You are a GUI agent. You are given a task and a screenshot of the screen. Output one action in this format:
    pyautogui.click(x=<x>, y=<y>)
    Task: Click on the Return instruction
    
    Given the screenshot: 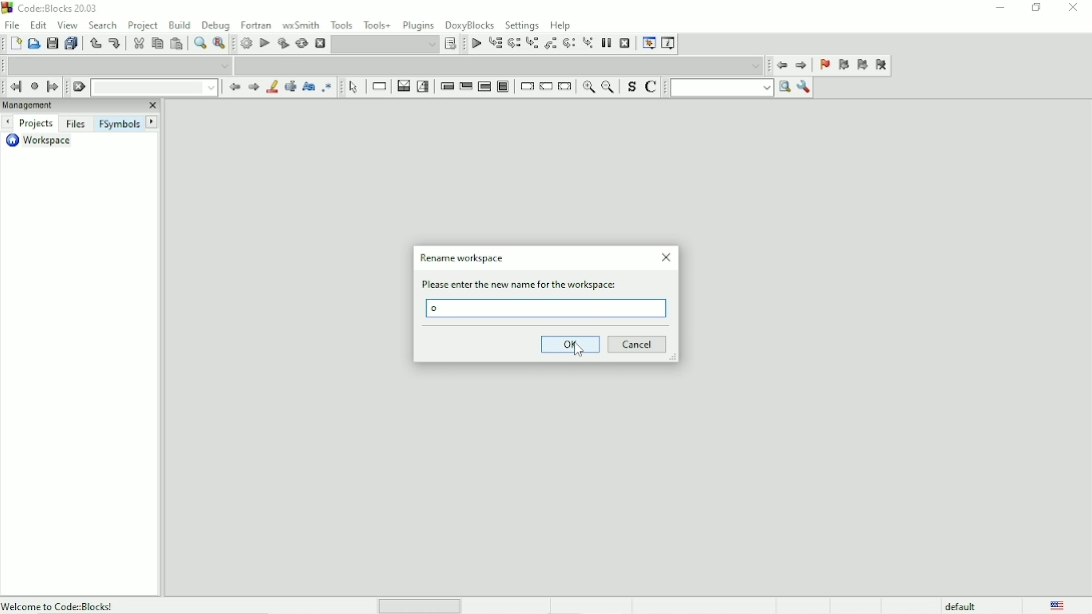 What is the action you would take?
    pyautogui.click(x=565, y=87)
    